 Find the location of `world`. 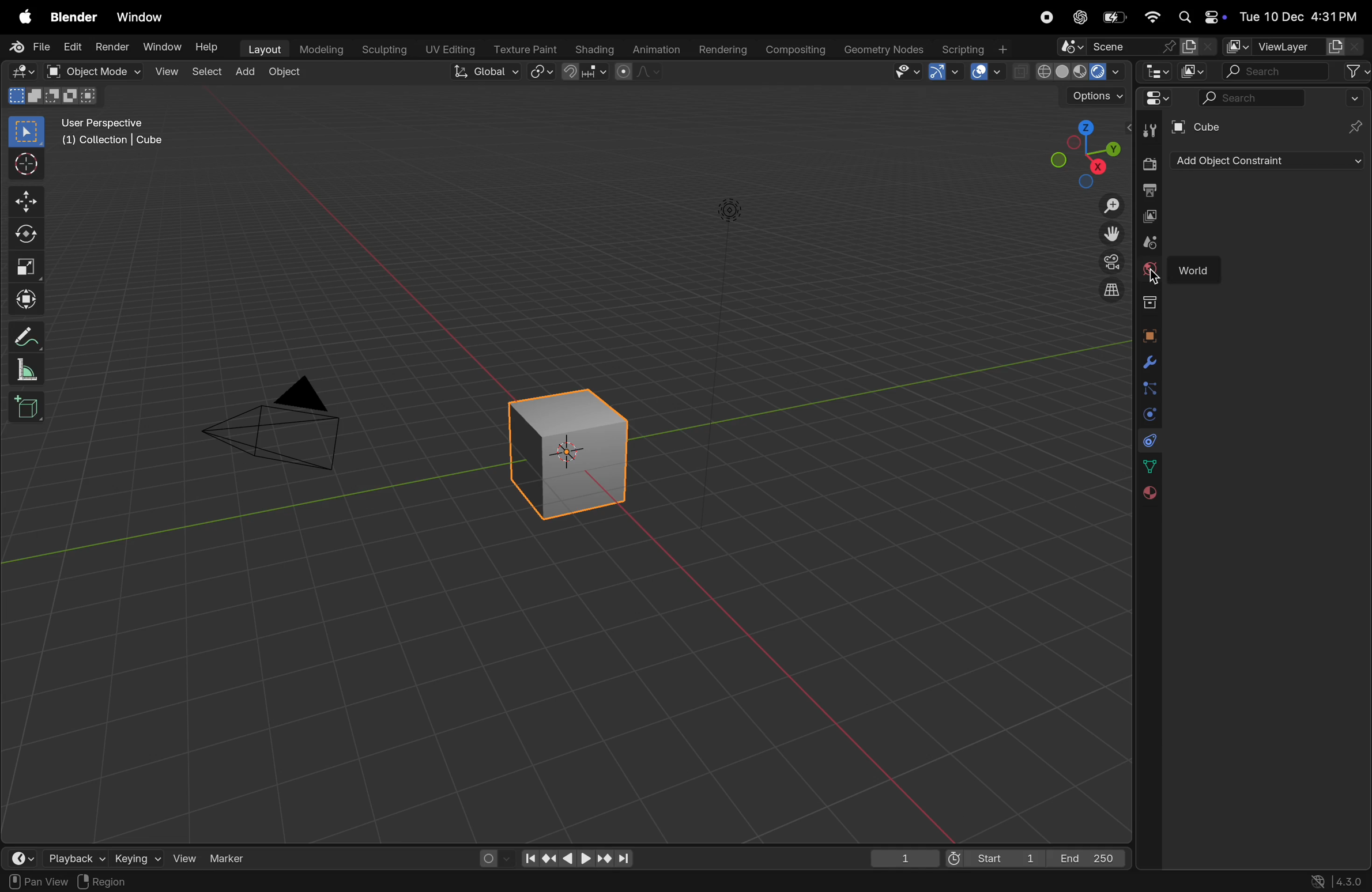

world is located at coordinates (1200, 266).